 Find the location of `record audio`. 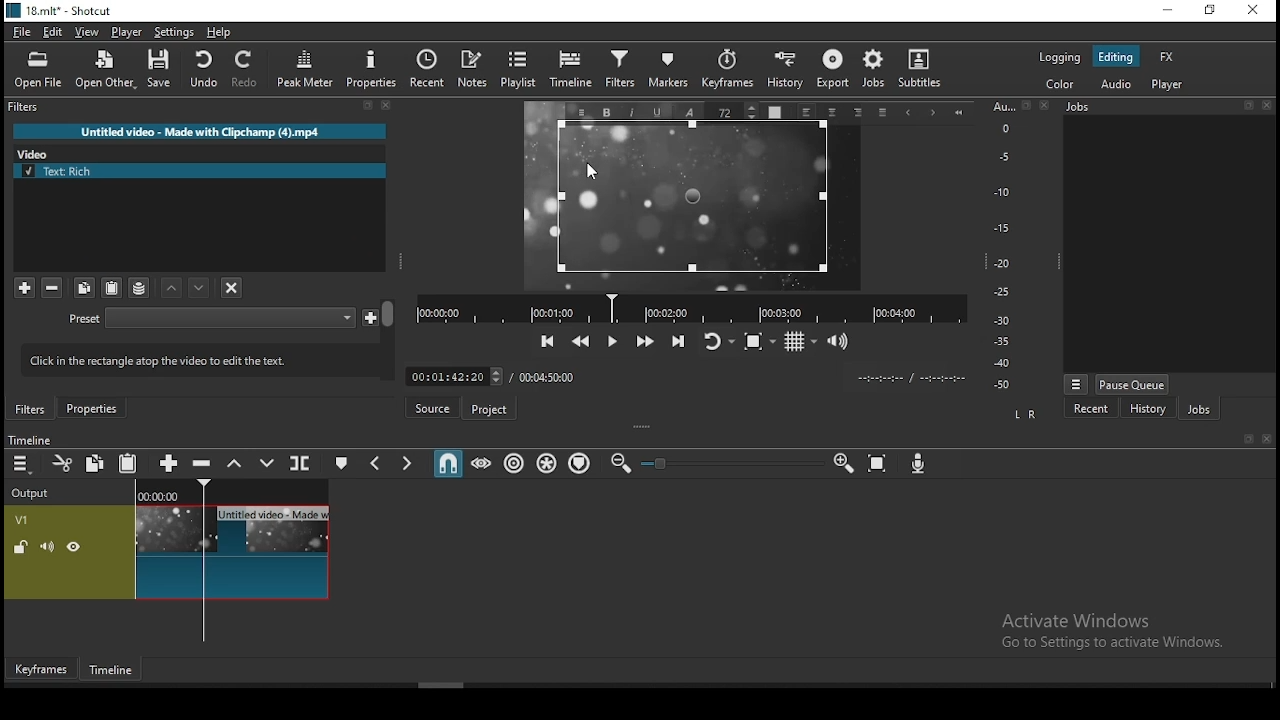

record audio is located at coordinates (919, 464).